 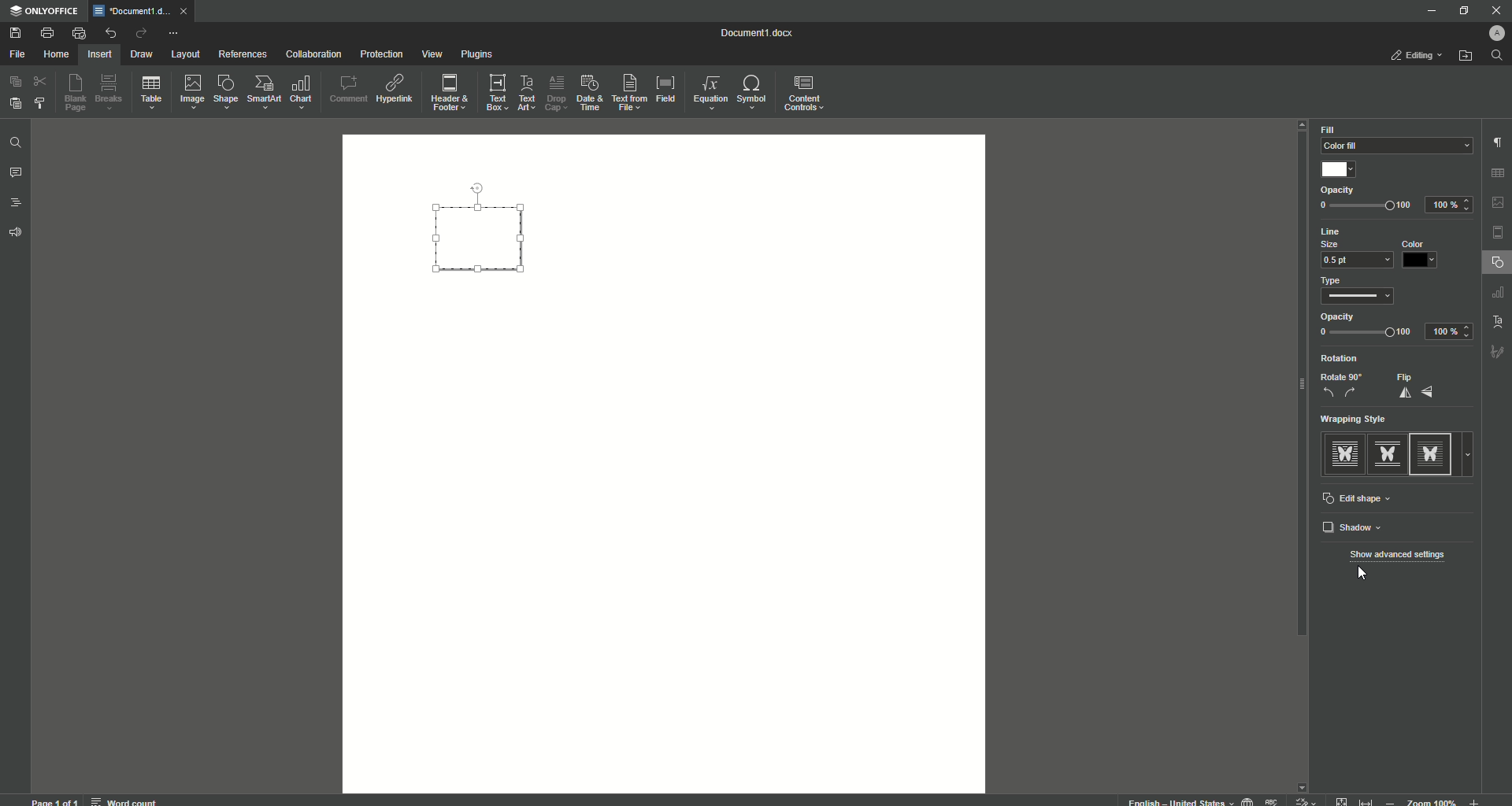 What do you see at coordinates (151, 95) in the screenshot?
I see `Table` at bounding box center [151, 95].